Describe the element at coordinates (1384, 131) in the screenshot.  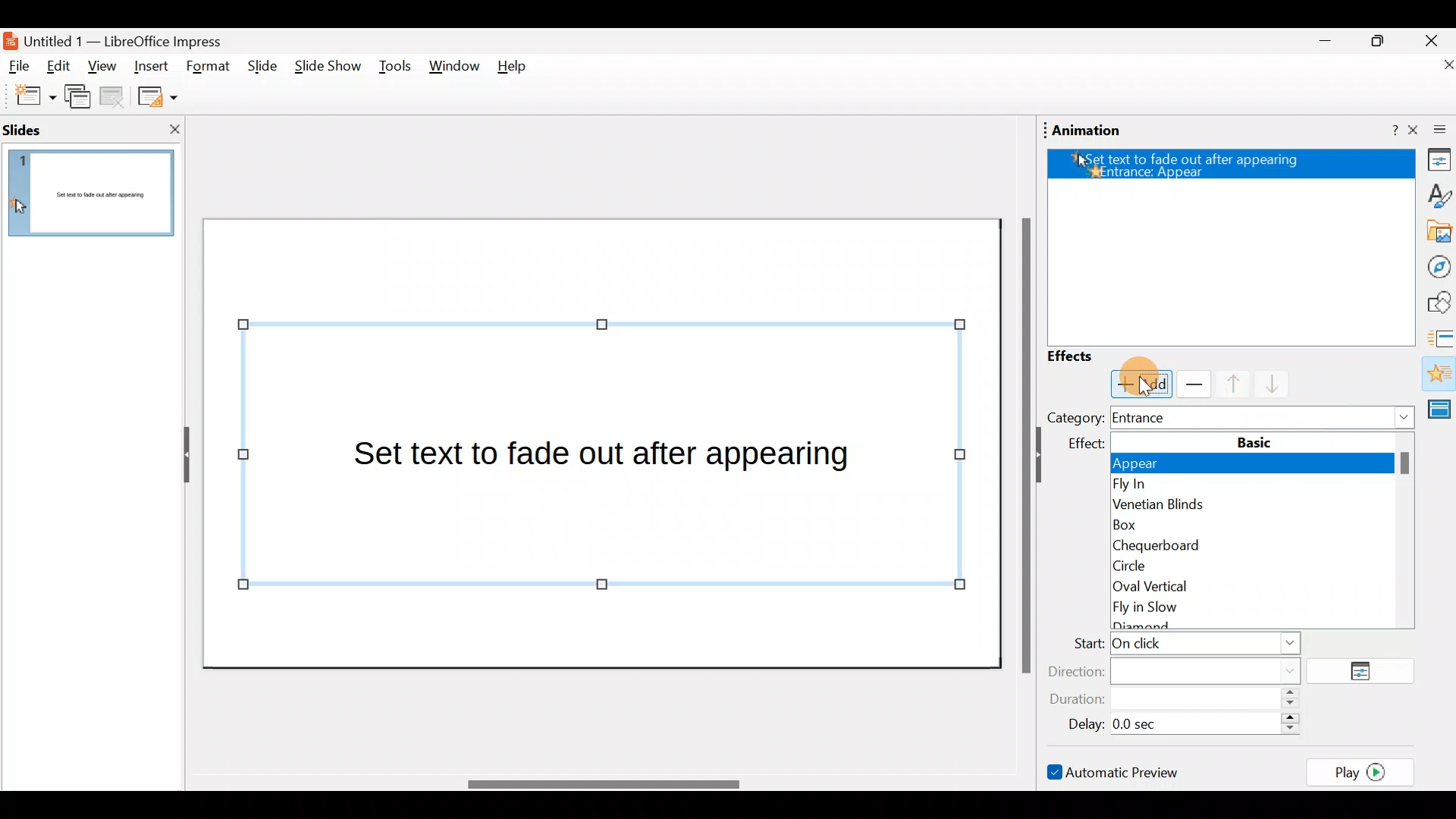
I see `Help` at that location.